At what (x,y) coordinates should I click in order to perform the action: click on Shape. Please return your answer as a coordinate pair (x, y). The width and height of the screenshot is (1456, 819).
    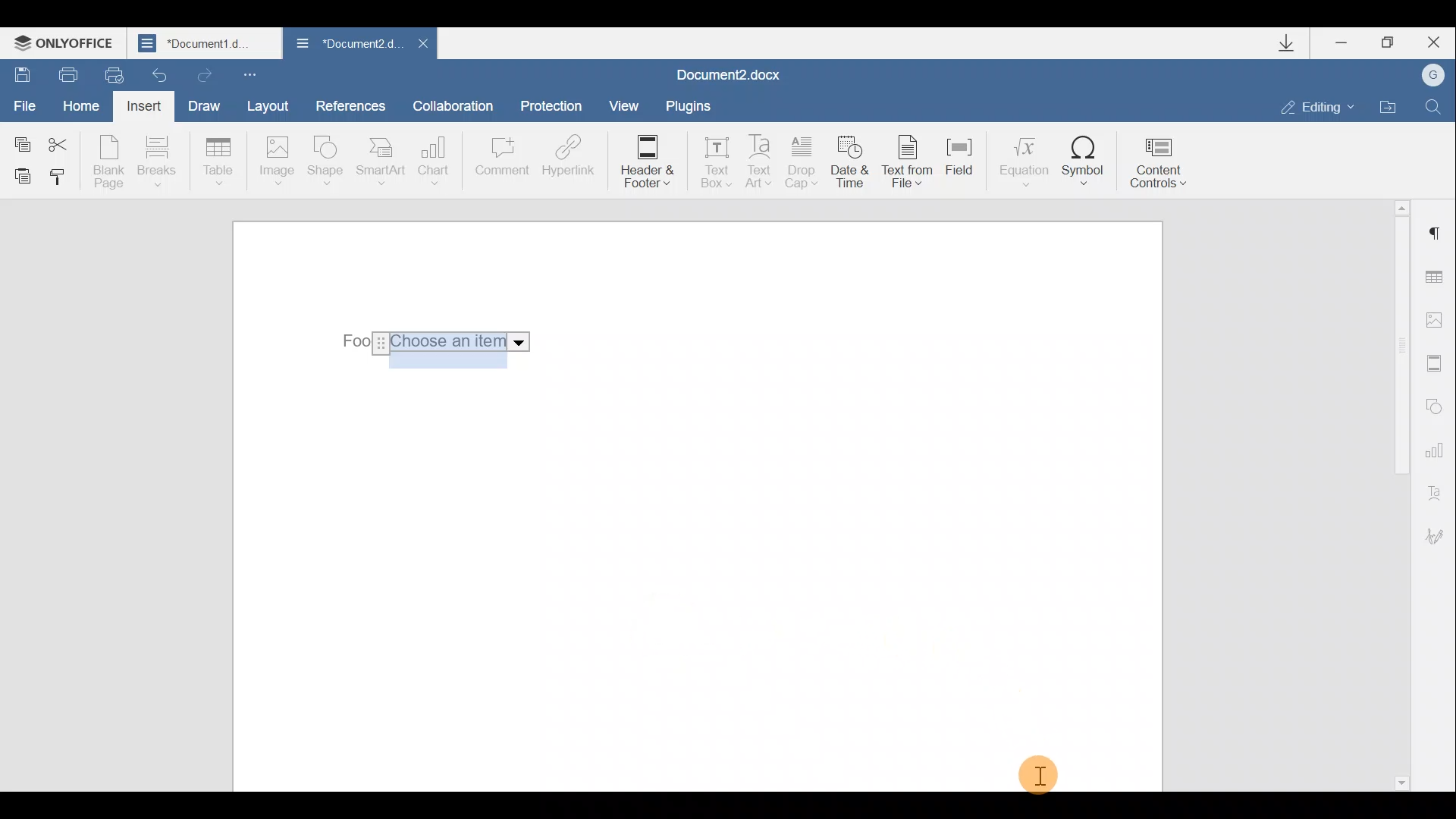
    Looking at the image, I should click on (328, 163).